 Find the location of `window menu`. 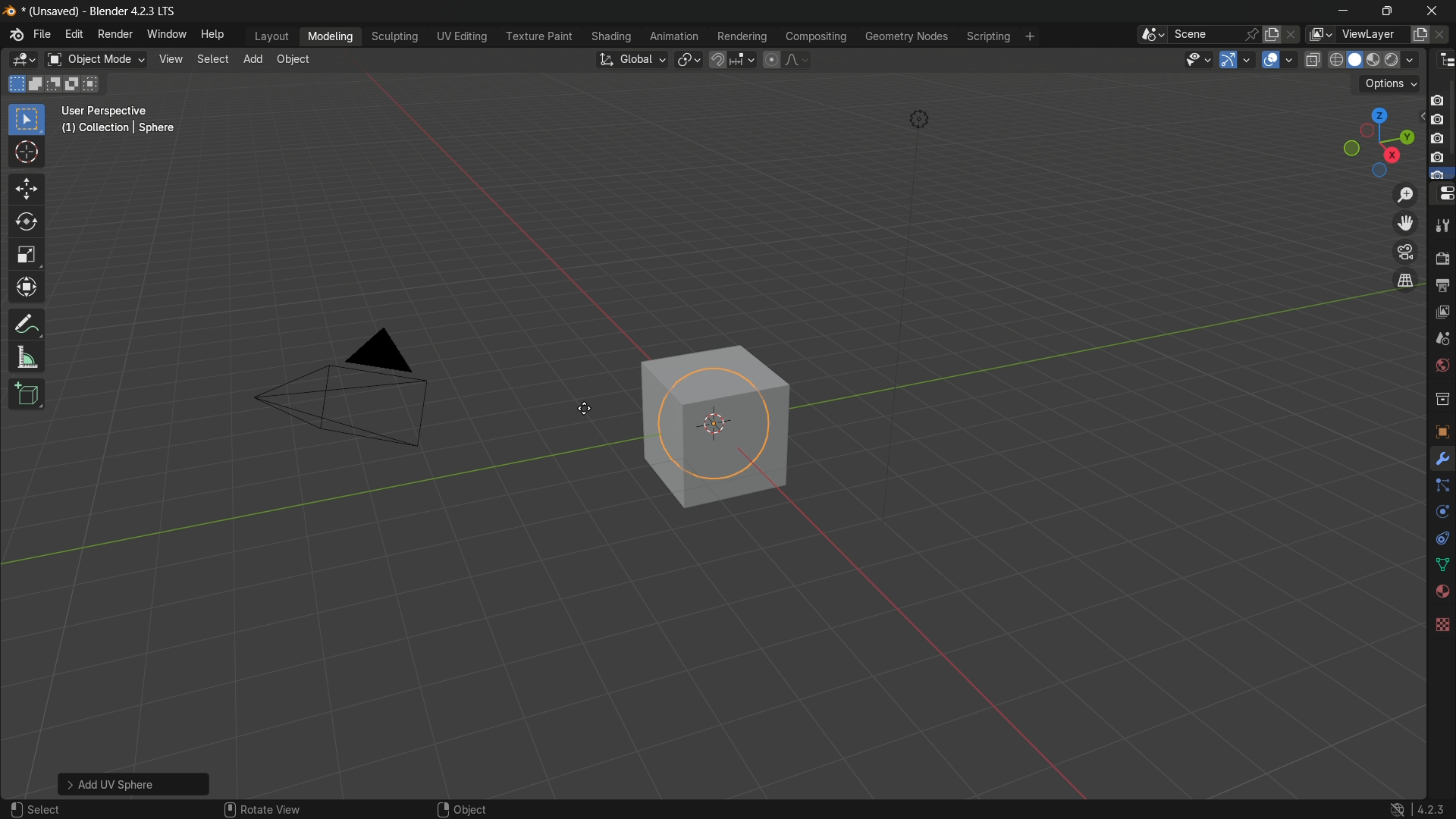

window menu is located at coordinates (163, 34).